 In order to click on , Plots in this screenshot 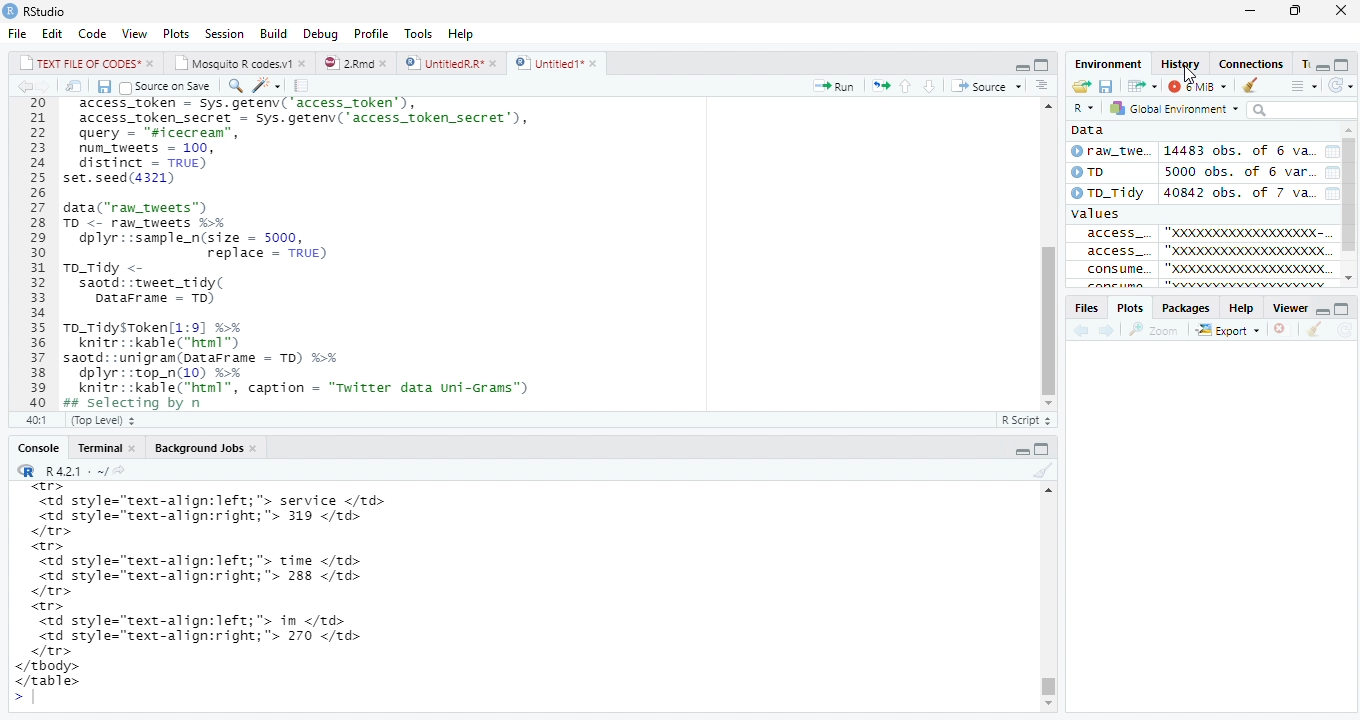, I will do `click(1130, 308)`.